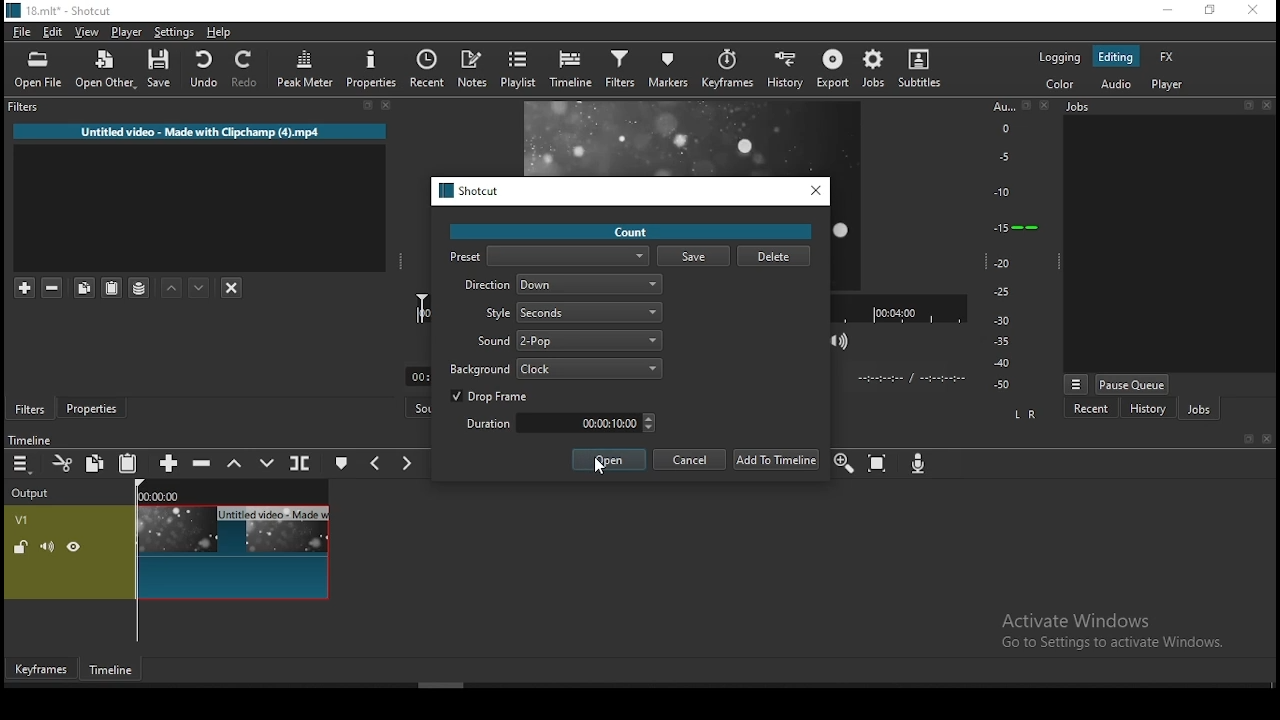  Describe the element at coordinates (427, 68) in the screenshot. I see `split at playhead` at that location.